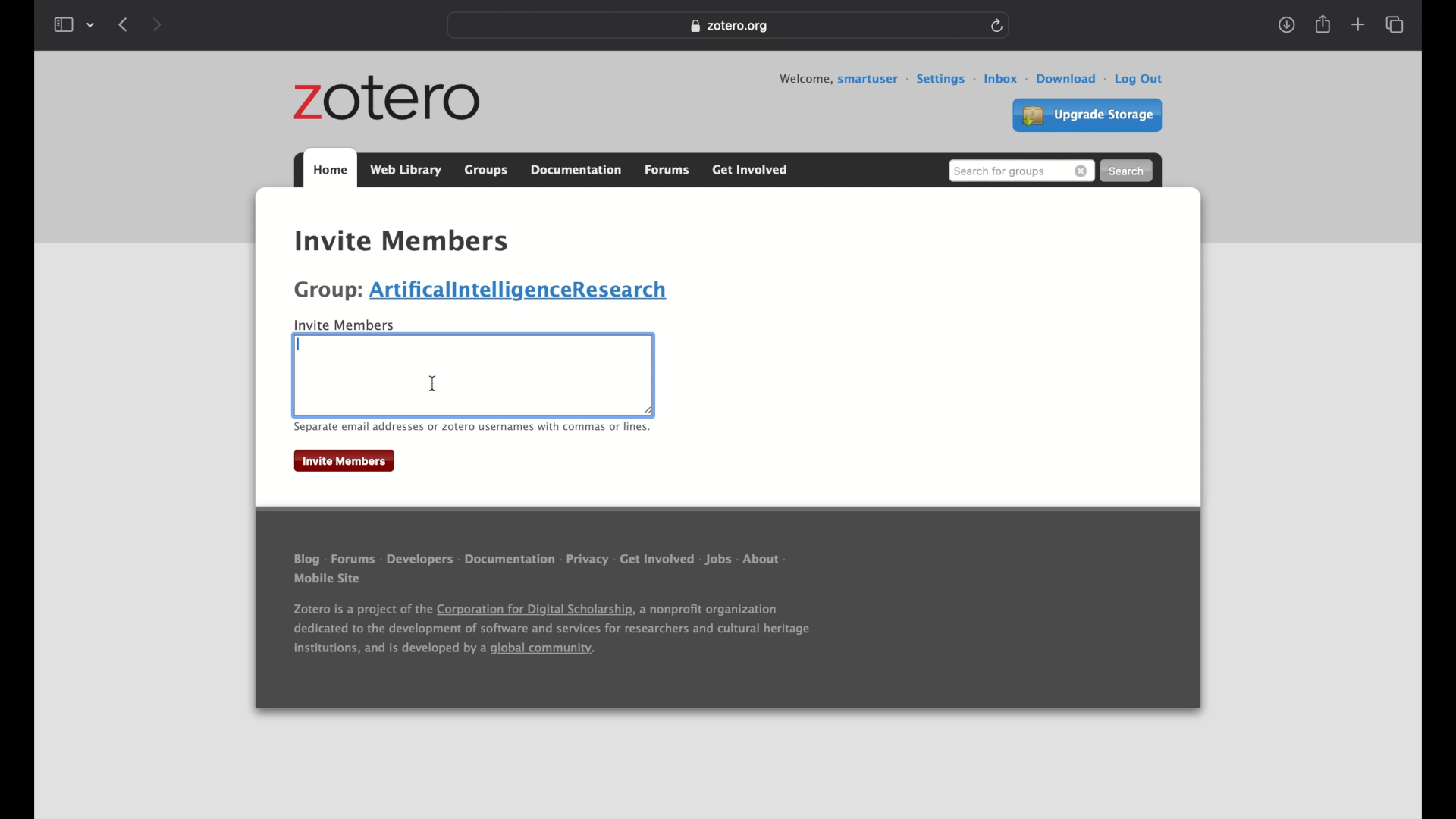 This screenshot has width=1456, height=819. What do you see at coordinates (406, 170) in the screenshot?
I see `web library` at bounding box center [406, 170].